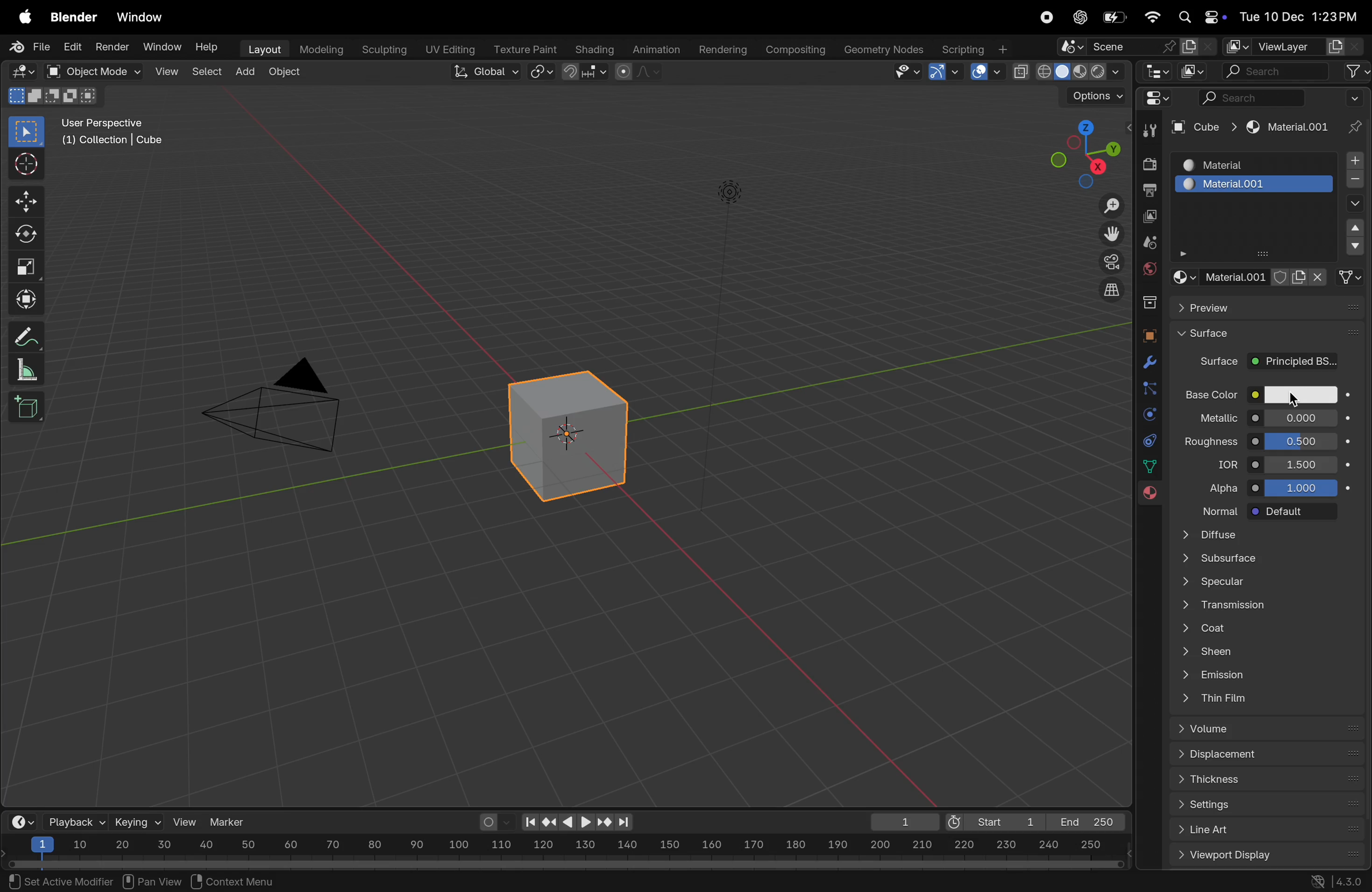 The height and width of the screenshot is (892, 1372). What do you see at coordinates (1149, 443) in the screenshot?
I see `constarints` at bounding box center [1149, 443].